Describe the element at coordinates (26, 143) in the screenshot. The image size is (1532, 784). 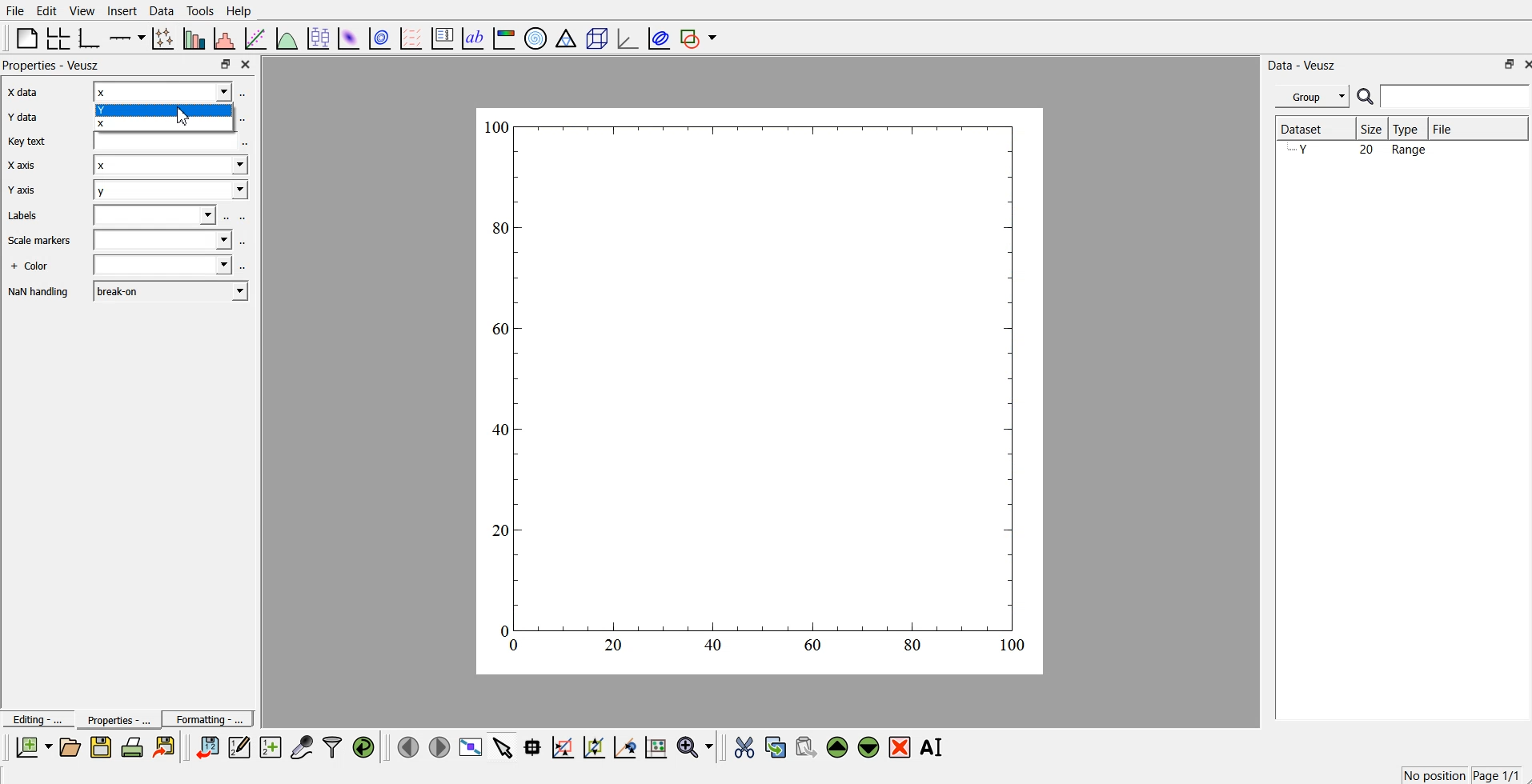
I see `| Key text` at that location.